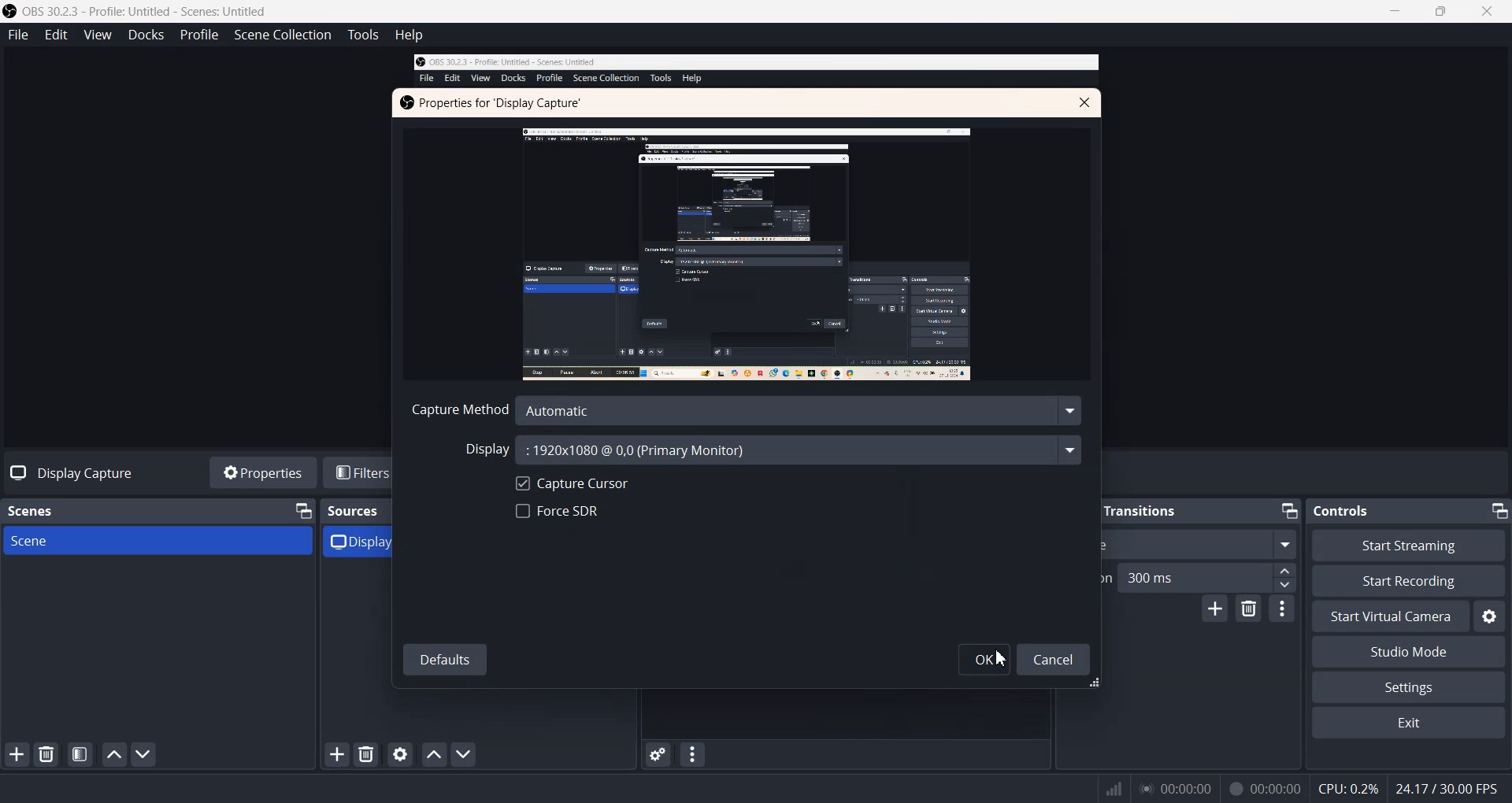  Describe the element at coordinates (744, 253) in the screenshot. I see `Preview` at that location.